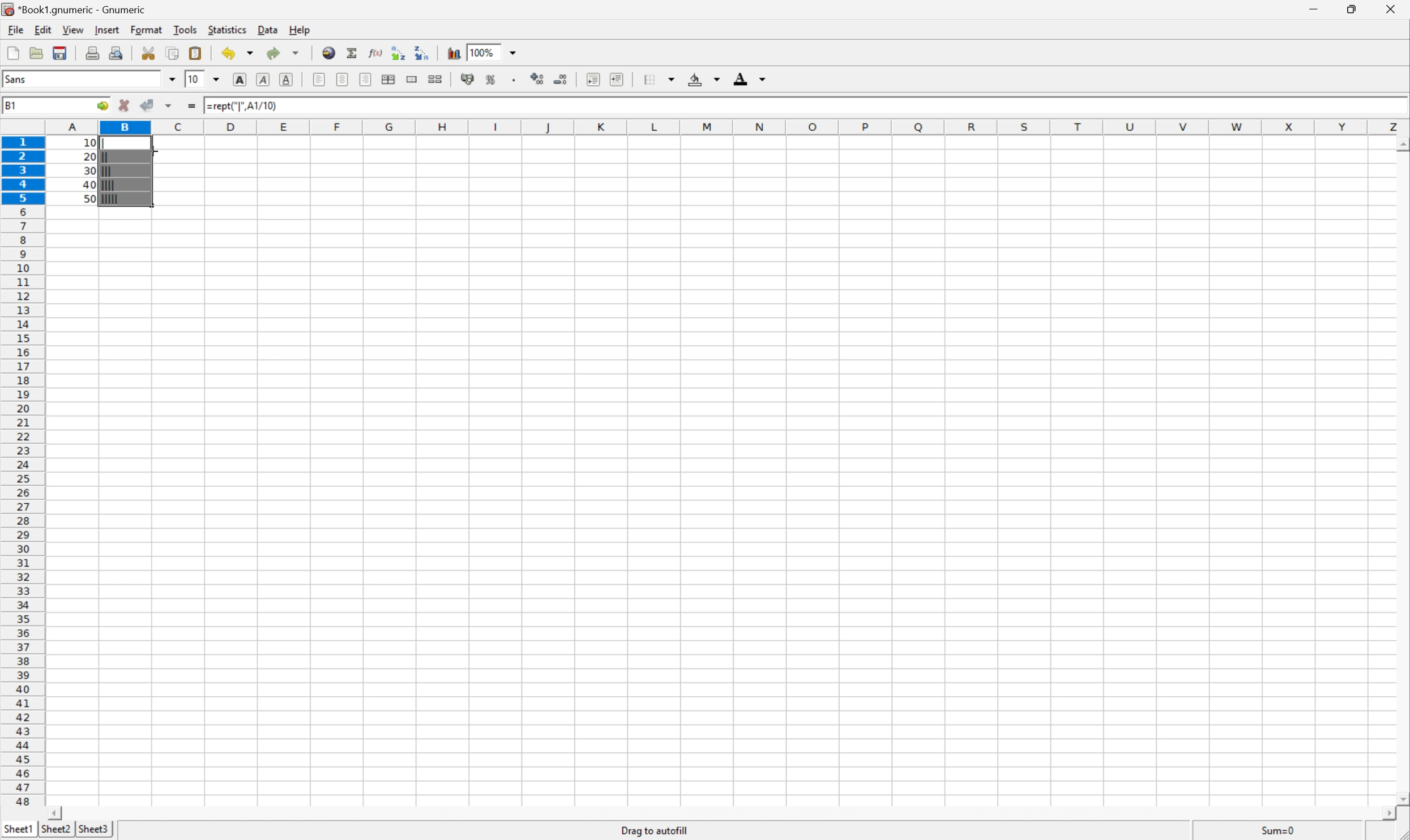  What do you see at coordinates (100, 144) in the screenshot?
I see `|` at bounding box center [100, 144].